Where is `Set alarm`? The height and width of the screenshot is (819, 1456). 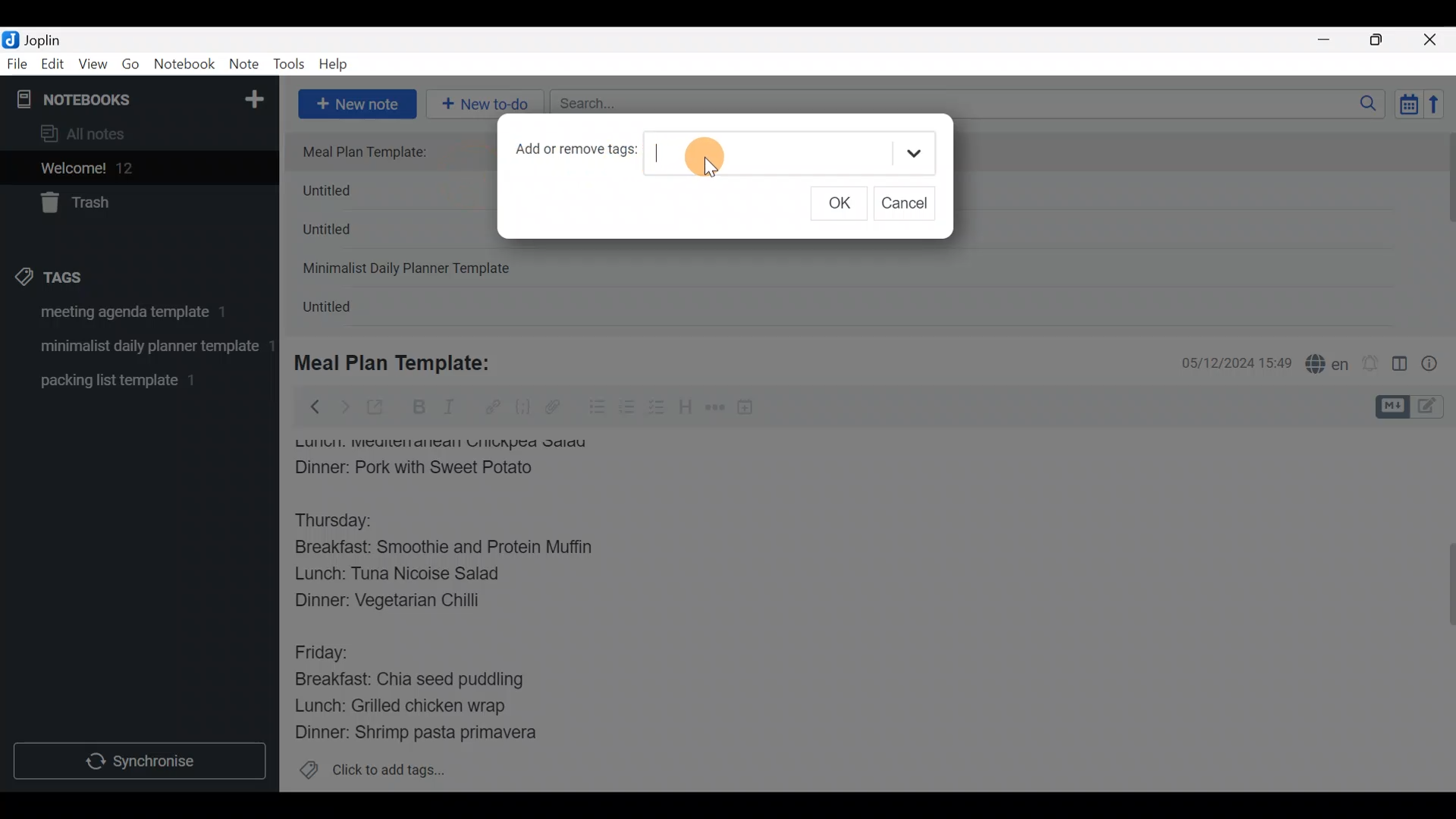 Set alarm is located at coordinates (1371, 365).